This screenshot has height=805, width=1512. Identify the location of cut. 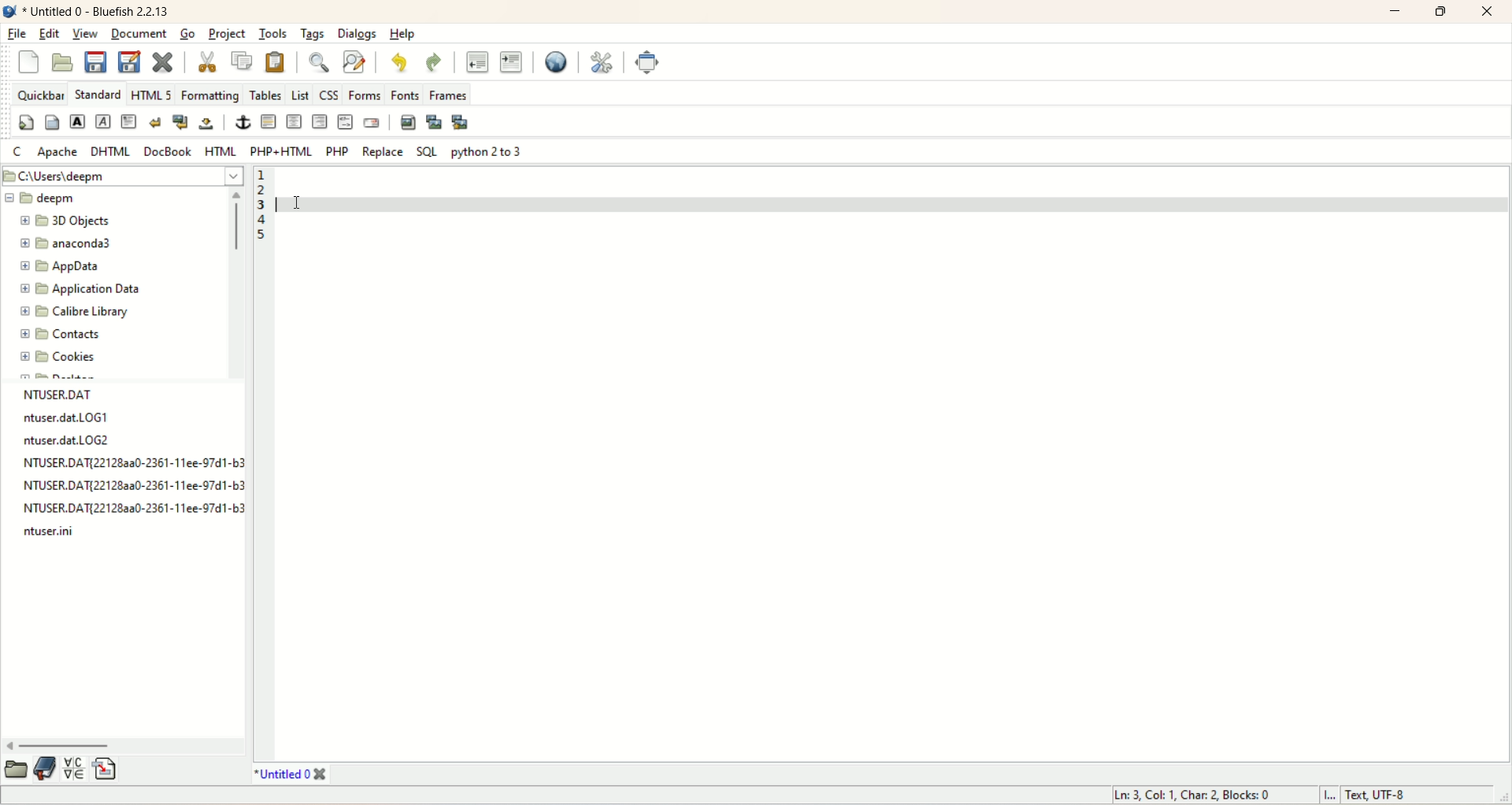
(206, 62).